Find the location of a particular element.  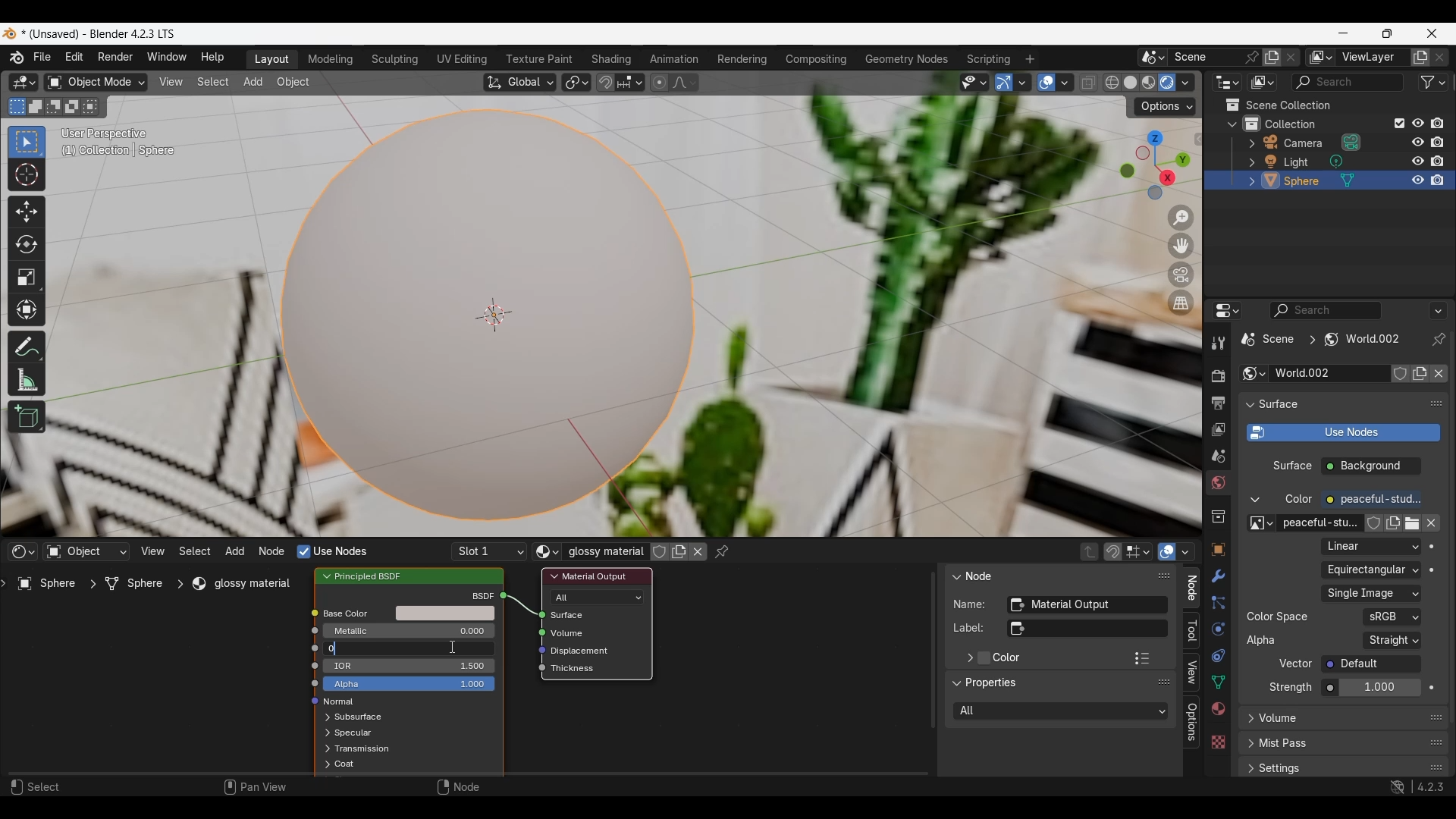

Transmission options is located at coordinates (364, 748).